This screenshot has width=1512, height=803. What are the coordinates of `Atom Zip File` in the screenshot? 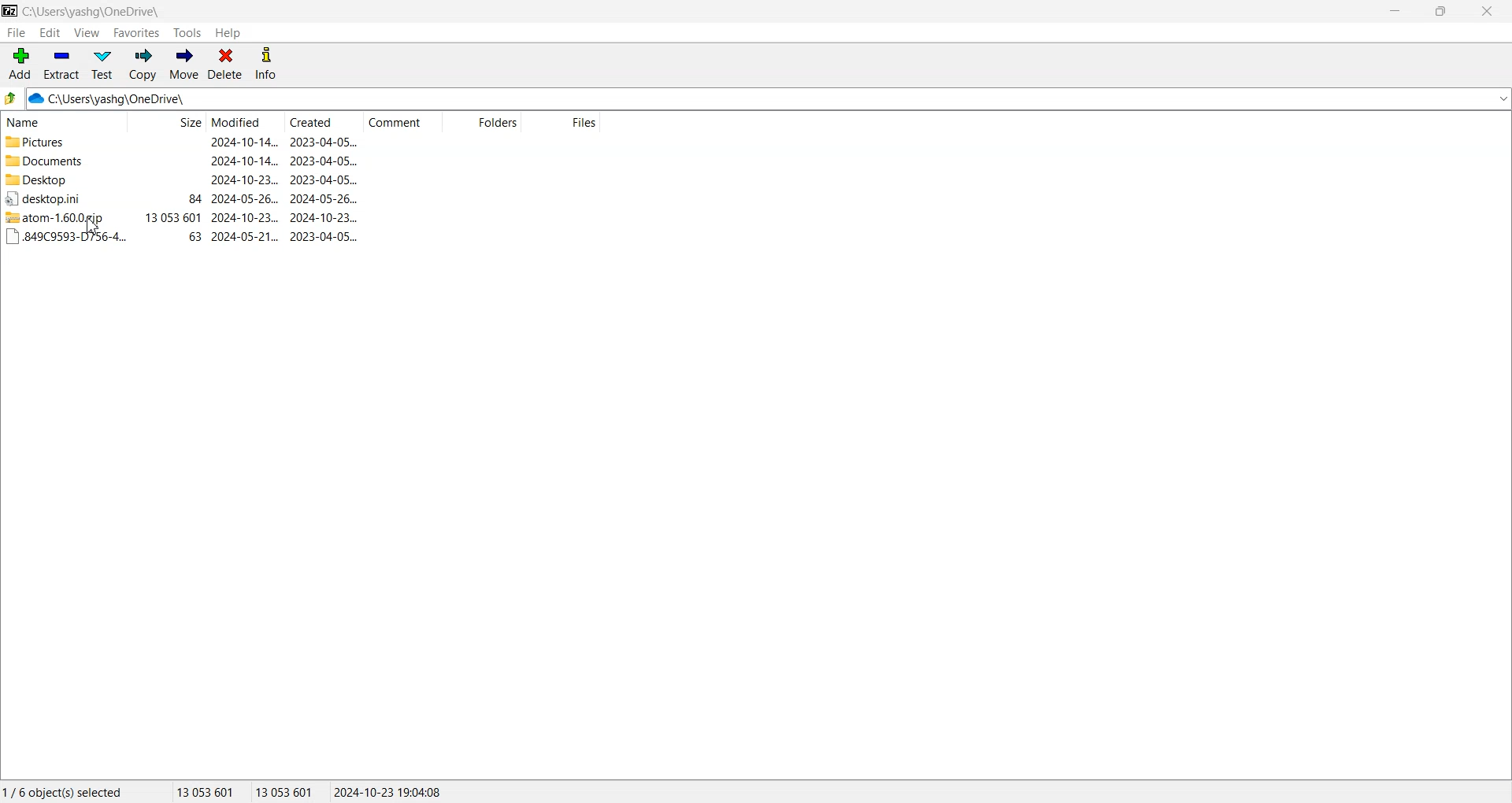 It's located at (60, 217).